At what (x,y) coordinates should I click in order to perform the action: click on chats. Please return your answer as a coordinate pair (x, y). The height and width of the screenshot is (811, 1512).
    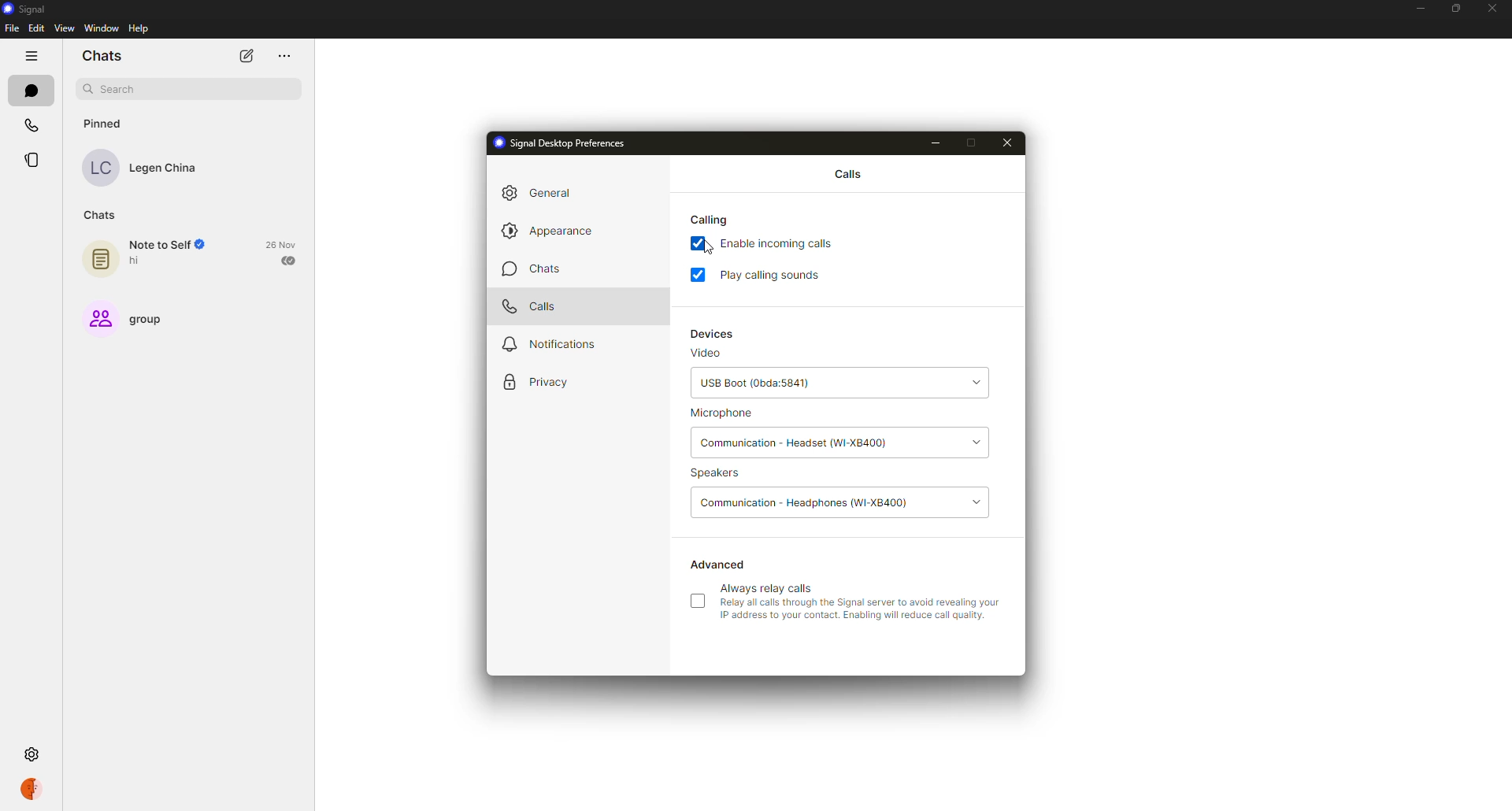
    Looking at the image, I should click on (98, 216).